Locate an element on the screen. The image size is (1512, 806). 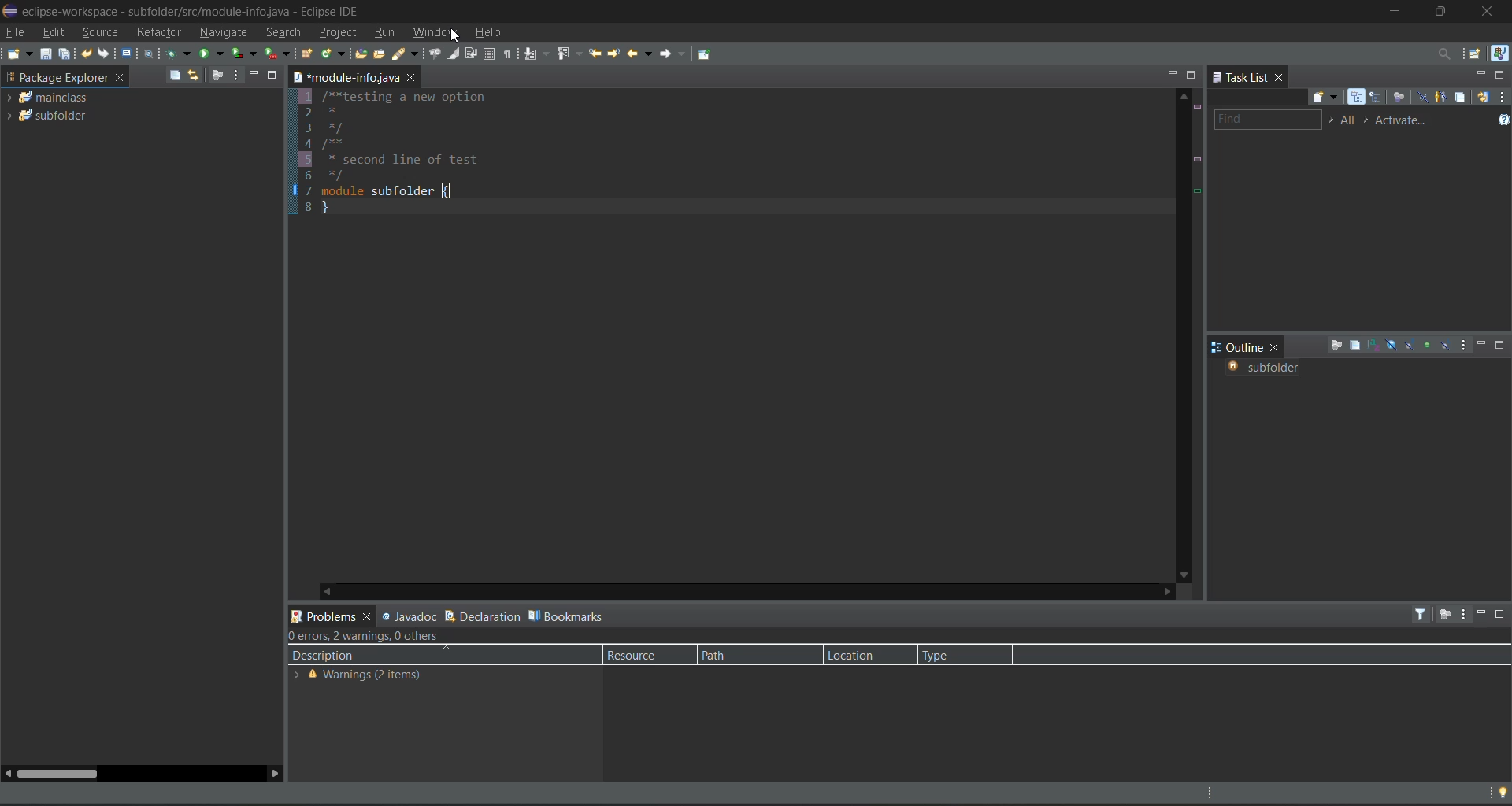
scheduled is located at coordinates (1377, 98).